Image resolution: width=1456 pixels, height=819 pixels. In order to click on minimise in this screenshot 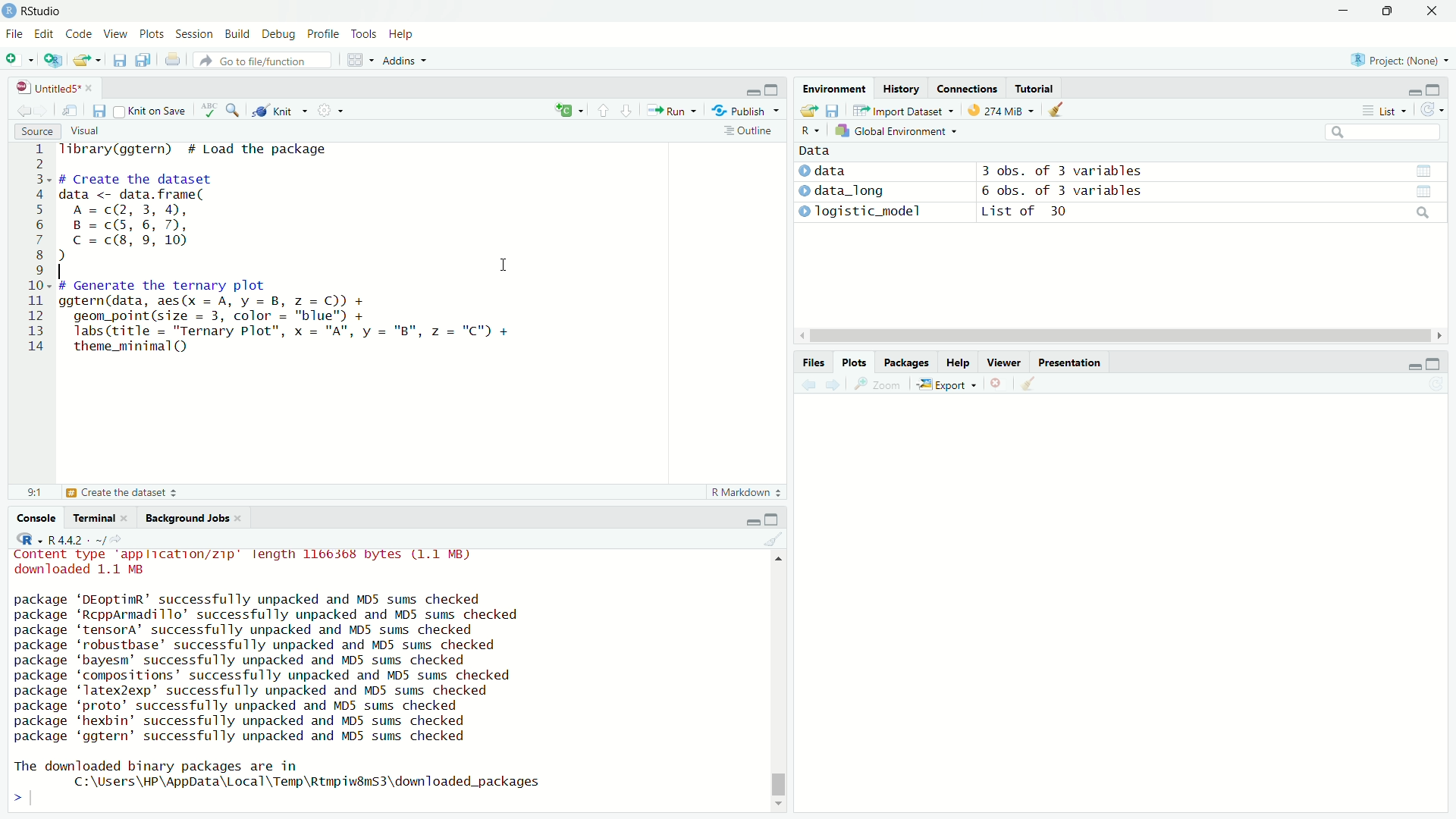, I will do `click(1407, 90)`.